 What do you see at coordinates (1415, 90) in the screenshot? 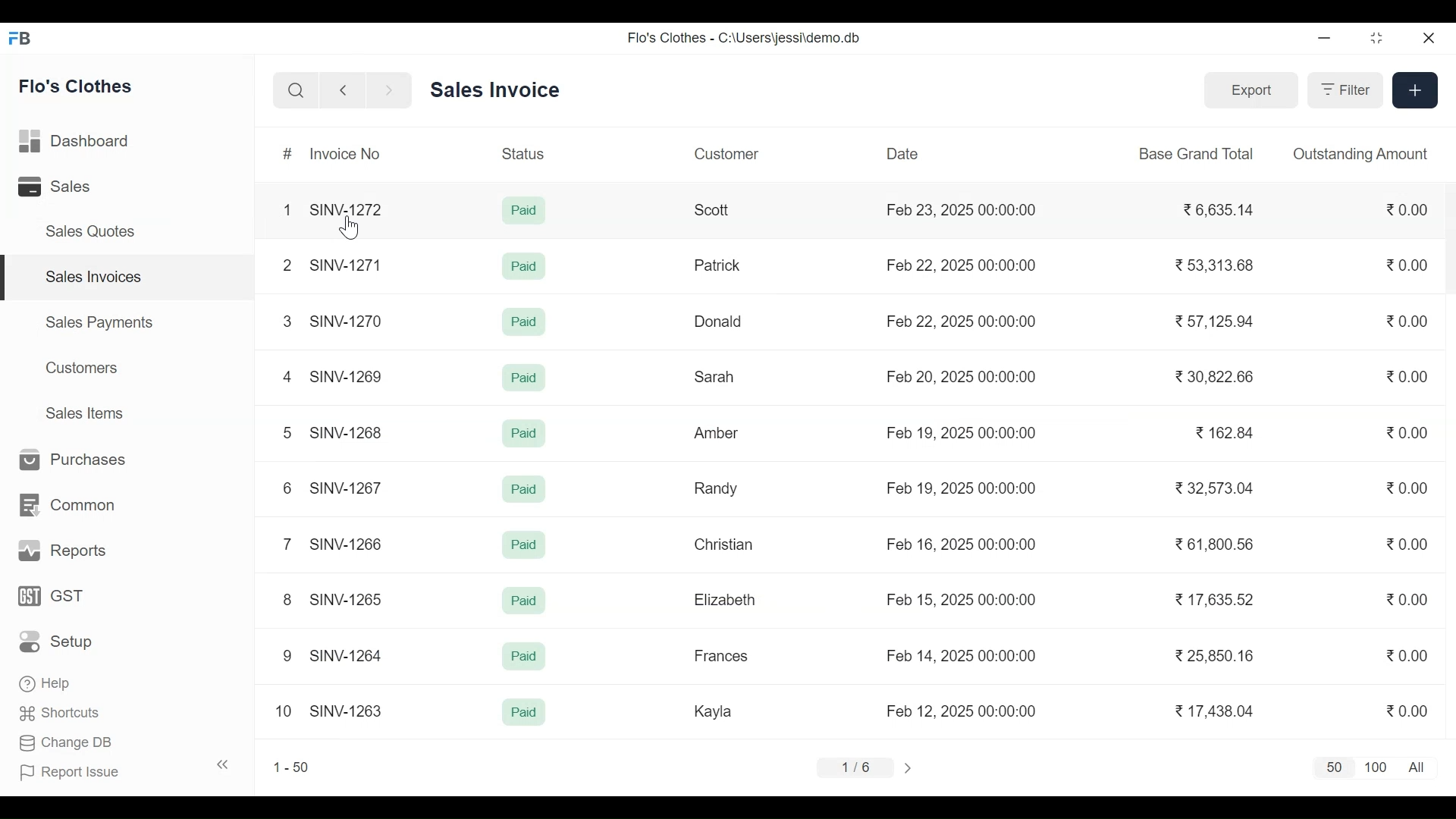
I see `Create` at bounding box center [1415, 90].